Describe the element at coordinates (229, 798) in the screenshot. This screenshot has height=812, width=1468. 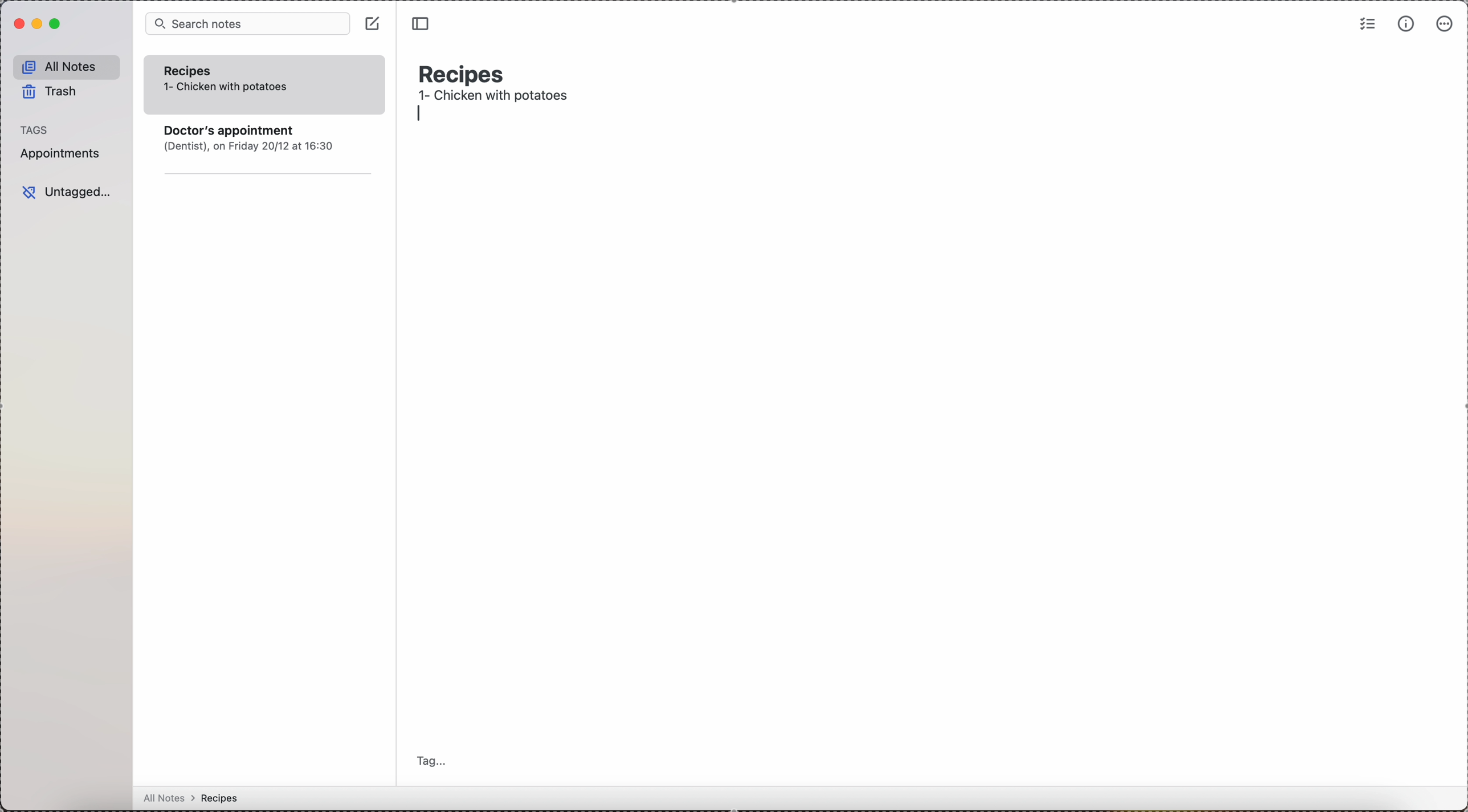
I see `all notes` at that location.